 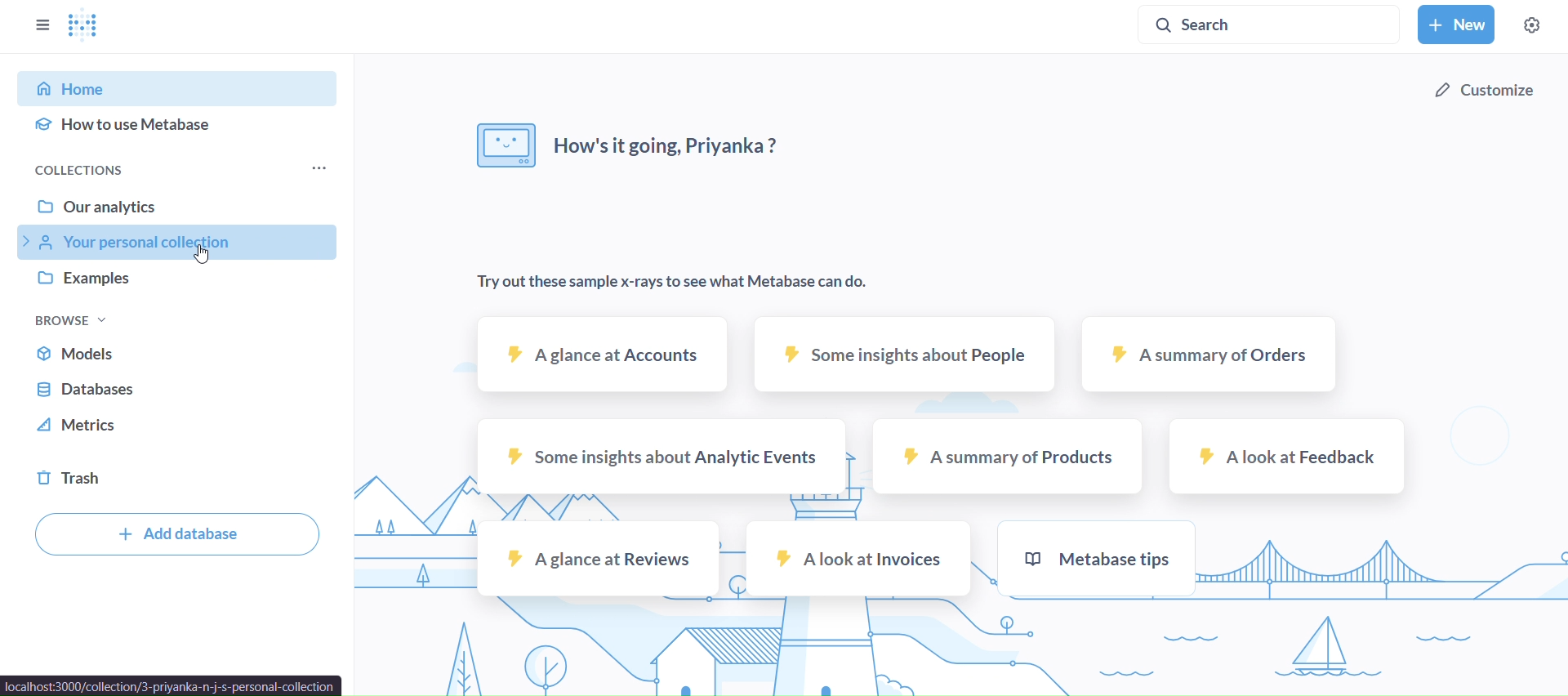 What do you see at coordinates (178, 239) in the screenshot?
I see `your persona collection` at bounding box center [178, 239].